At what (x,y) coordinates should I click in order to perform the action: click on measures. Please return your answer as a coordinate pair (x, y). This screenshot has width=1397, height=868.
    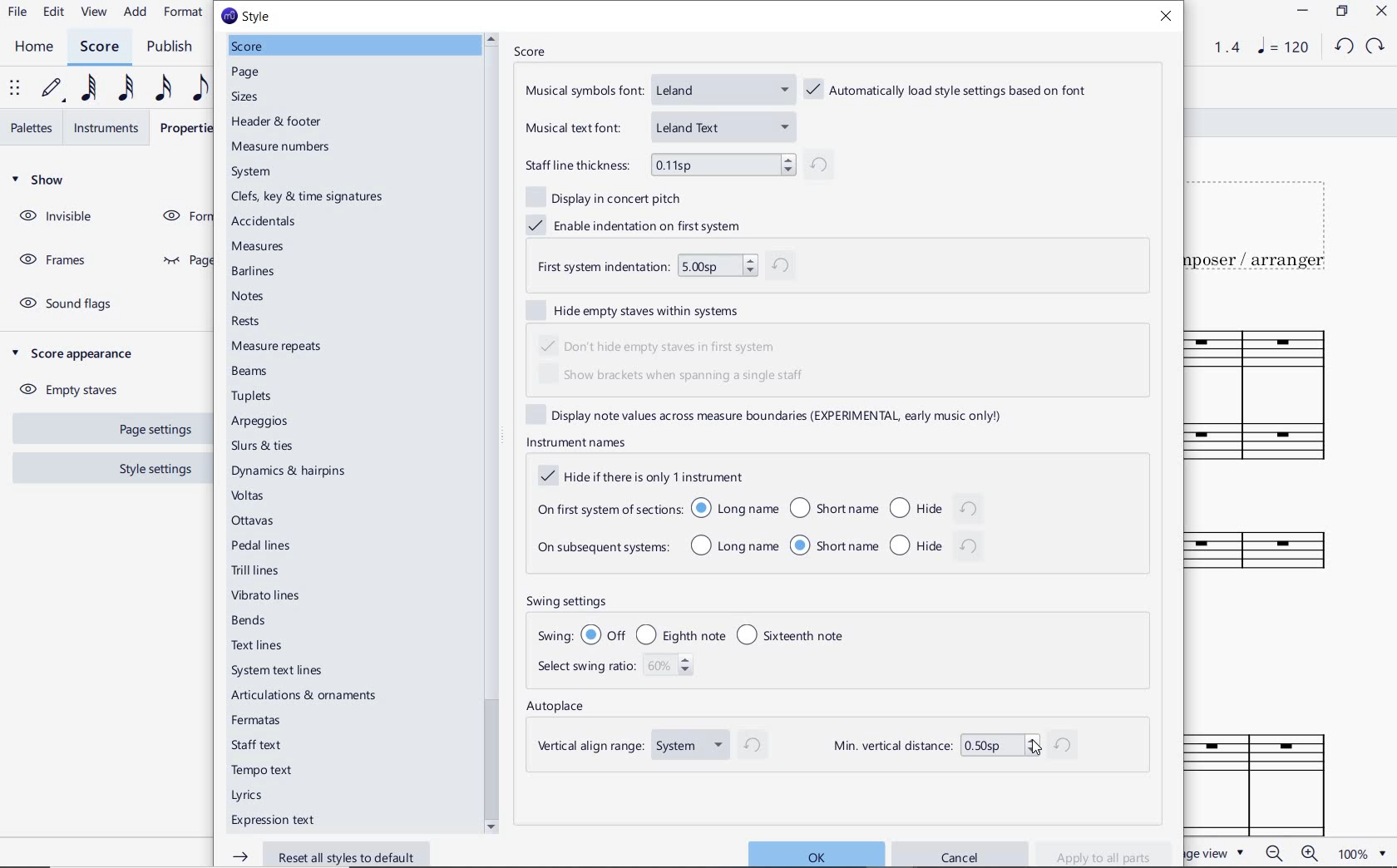
    Looking at the image, I should click on (259, 247).